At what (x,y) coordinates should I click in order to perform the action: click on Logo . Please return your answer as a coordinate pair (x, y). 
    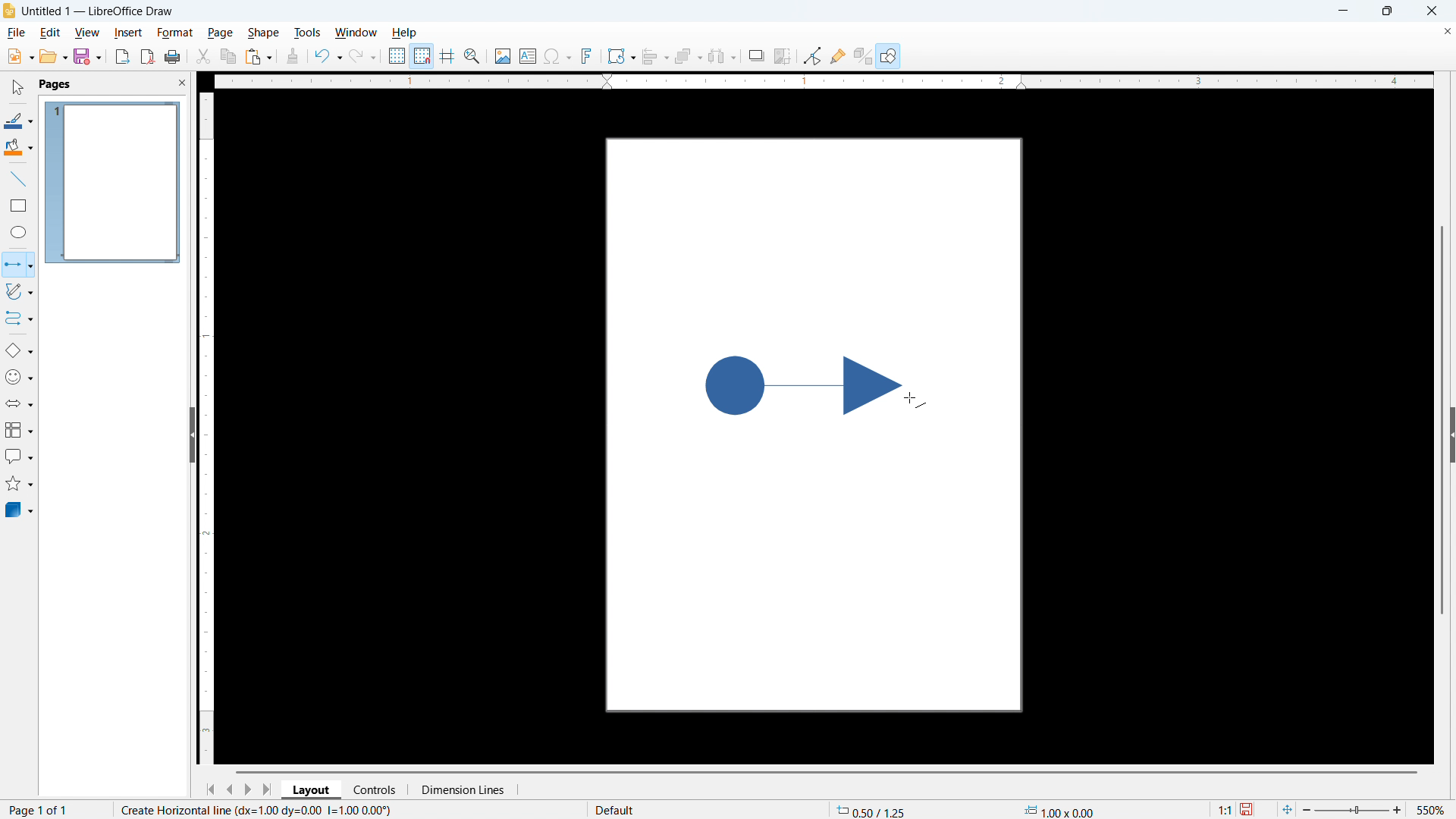
    Looking at the image, I should click on (10, 11).